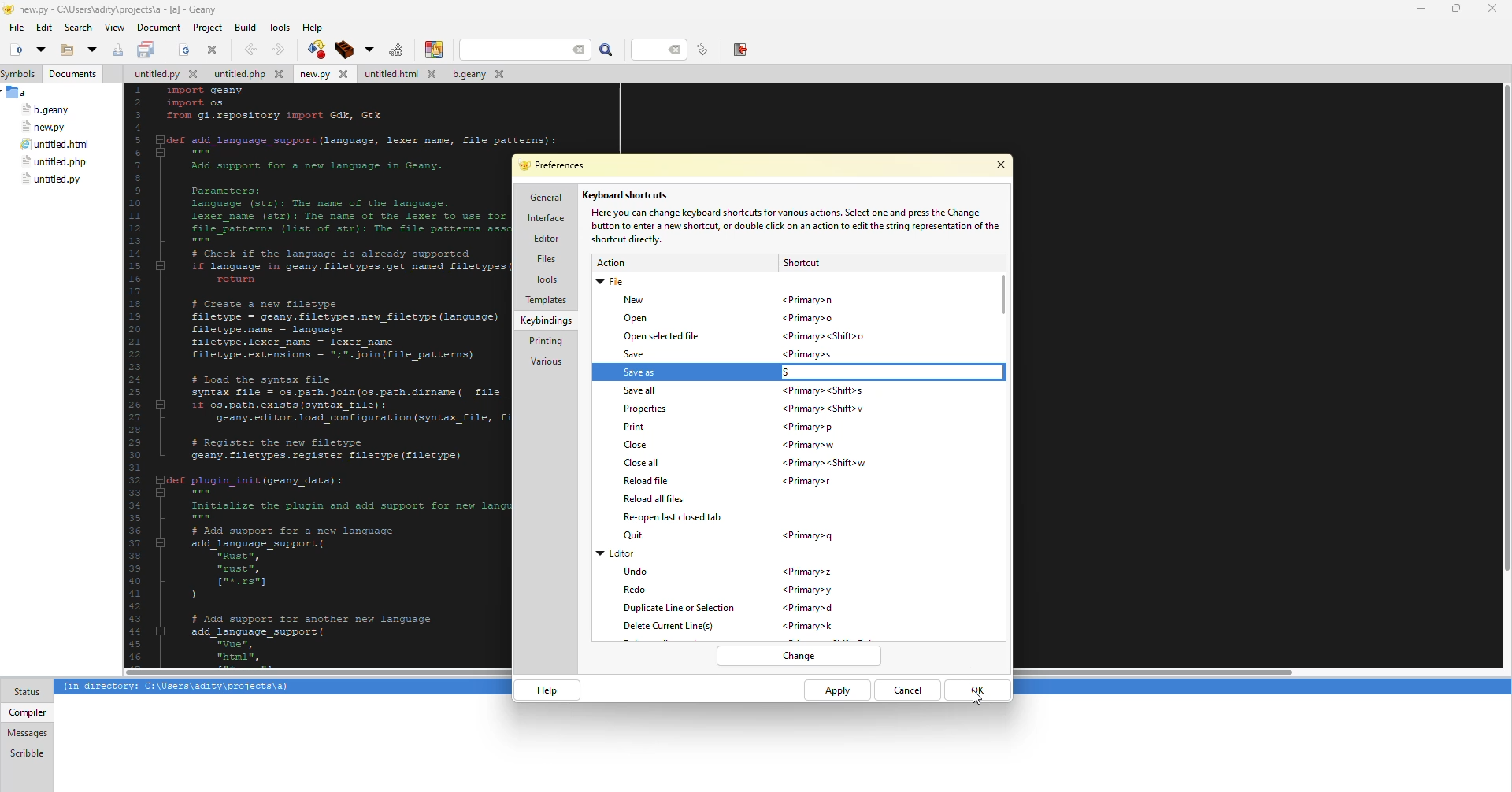  What do you see at coordinates (610, 263) in the screenshot?
I see `action` at bounding box center [610, 263].